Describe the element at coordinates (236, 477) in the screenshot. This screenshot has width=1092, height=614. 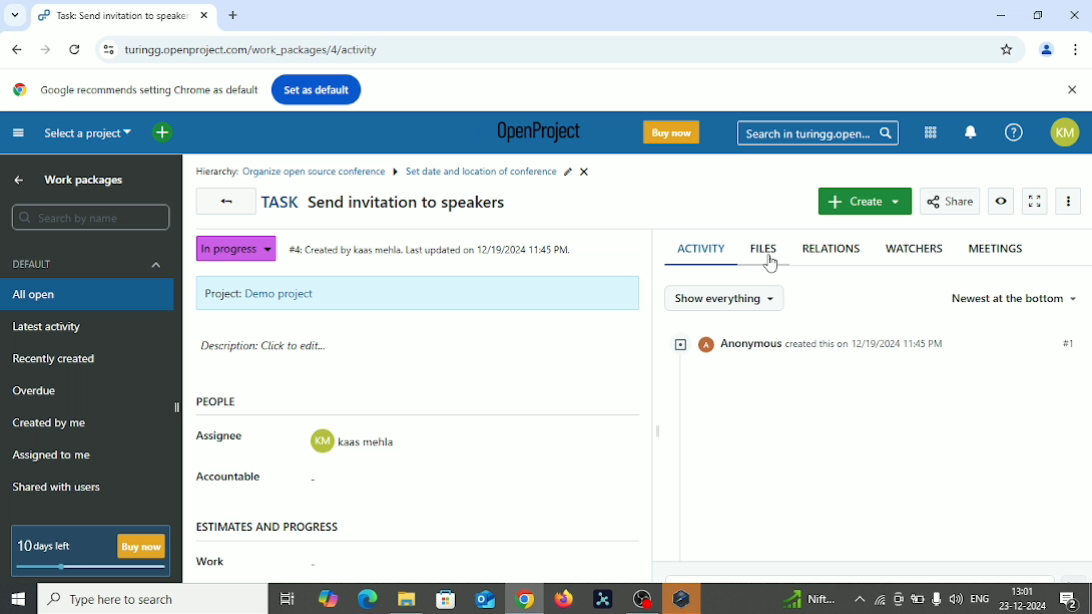
I see `Accountable` at that location.